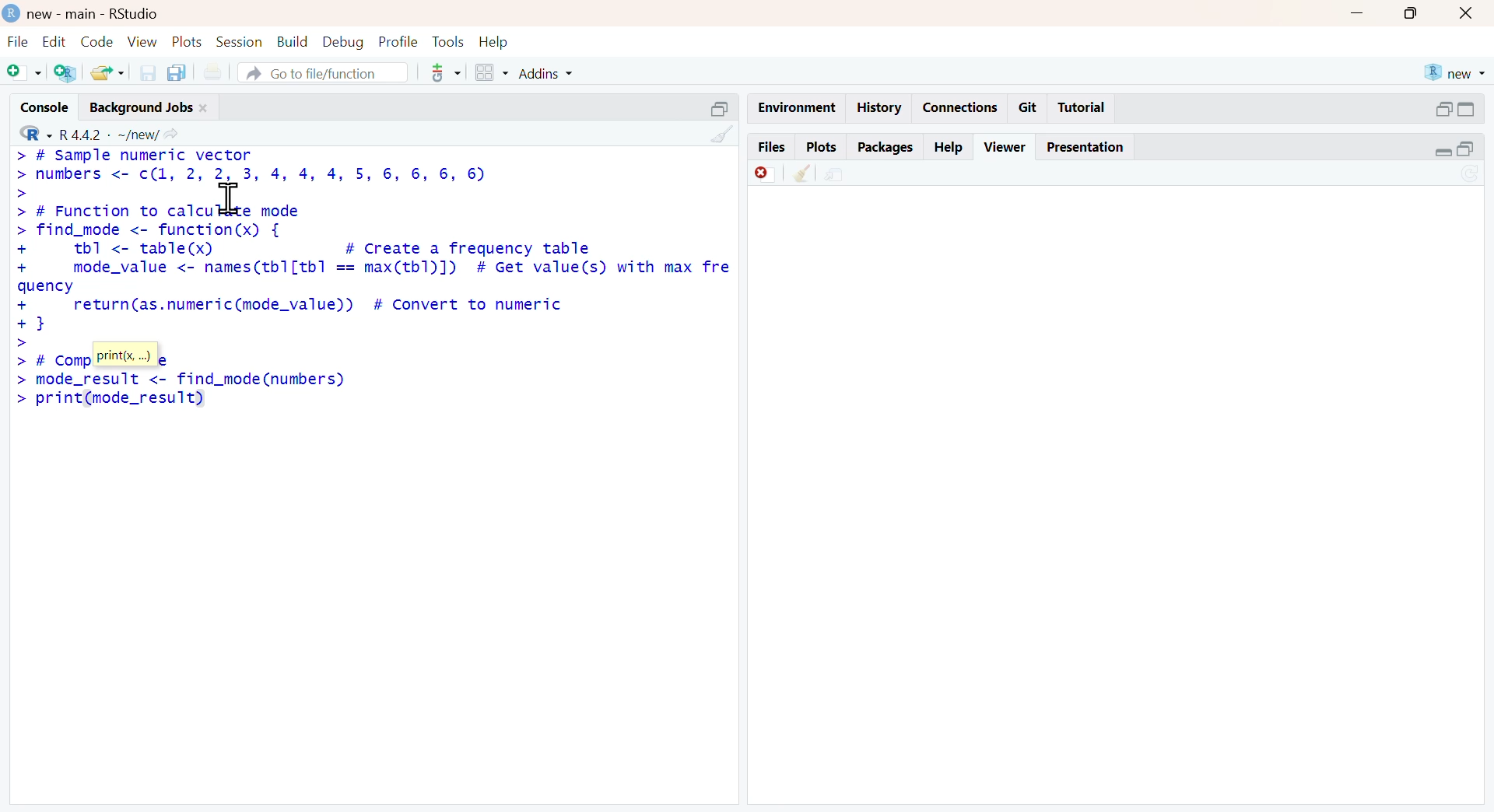  Describe the element at coordinates (1444, 110) in the screenshot. I see `open in separate window` at that location.